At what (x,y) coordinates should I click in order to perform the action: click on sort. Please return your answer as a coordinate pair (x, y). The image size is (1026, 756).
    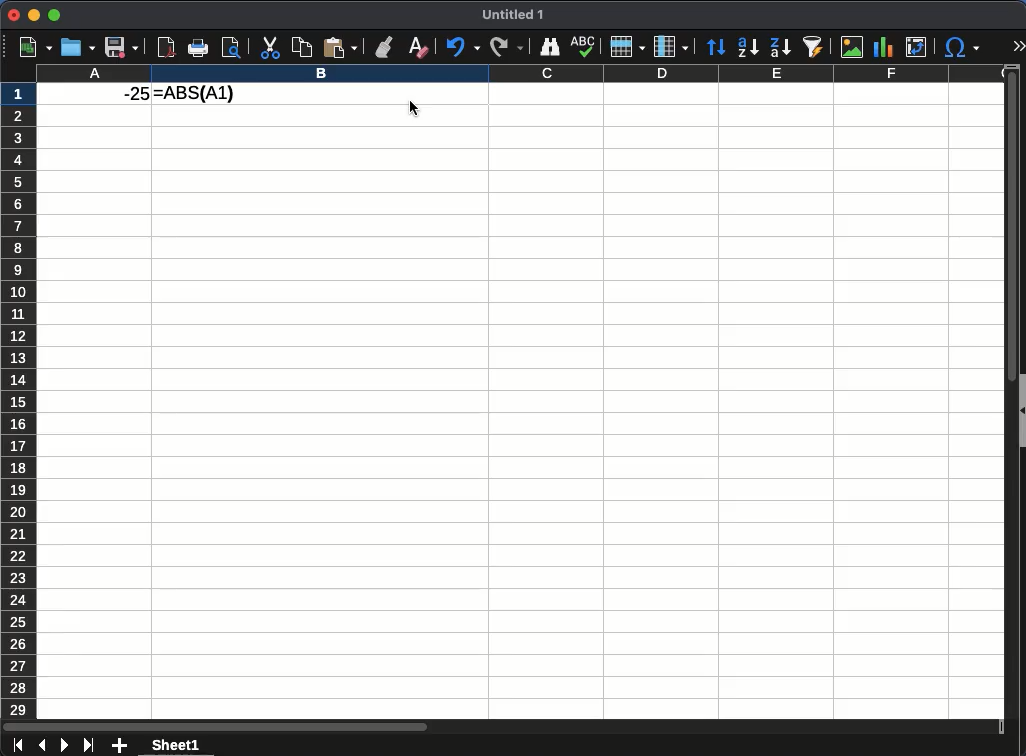
    Looking at the image, I should click on (718, 48).